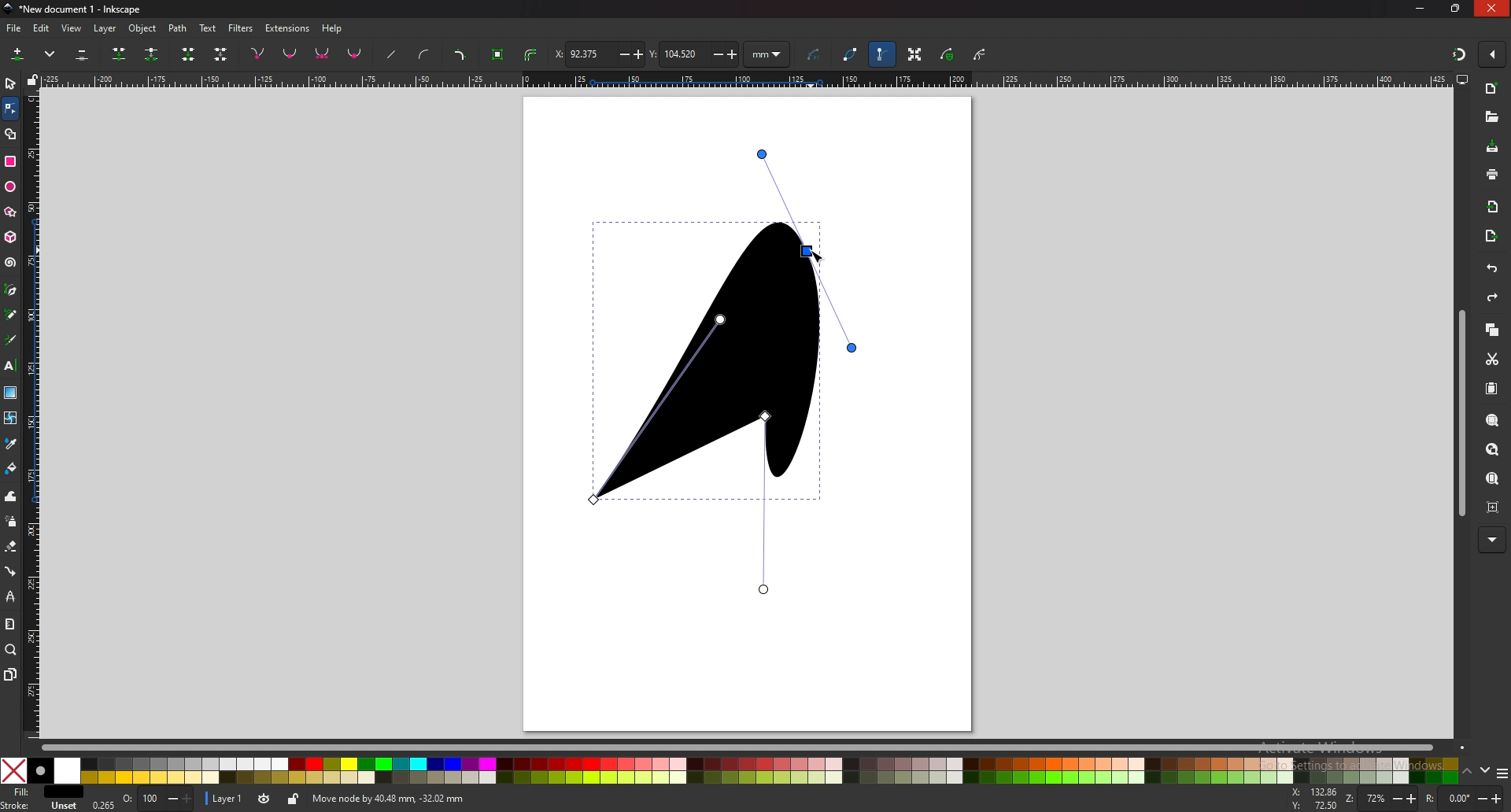 This screenshot has height=812, width=1511. What do you see at coordinates (10, 443) in the screenshot?
I see `dropper` at bounding box center [10, 443].